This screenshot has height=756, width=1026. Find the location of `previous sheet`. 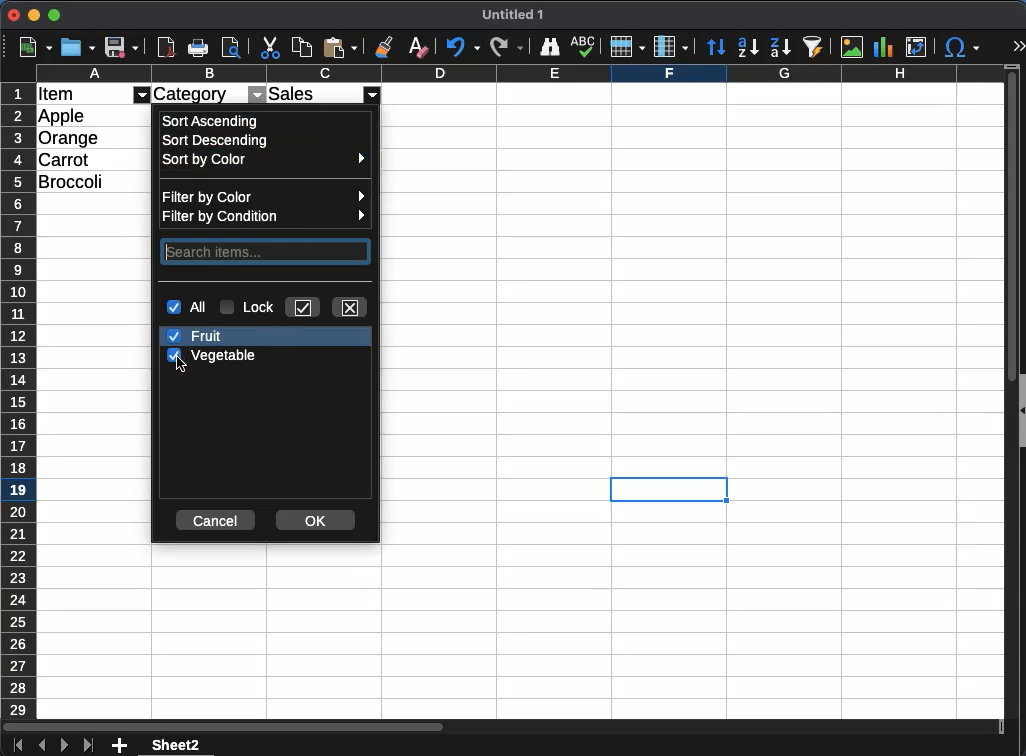

previous sheet is located at coordinates (42, 745).